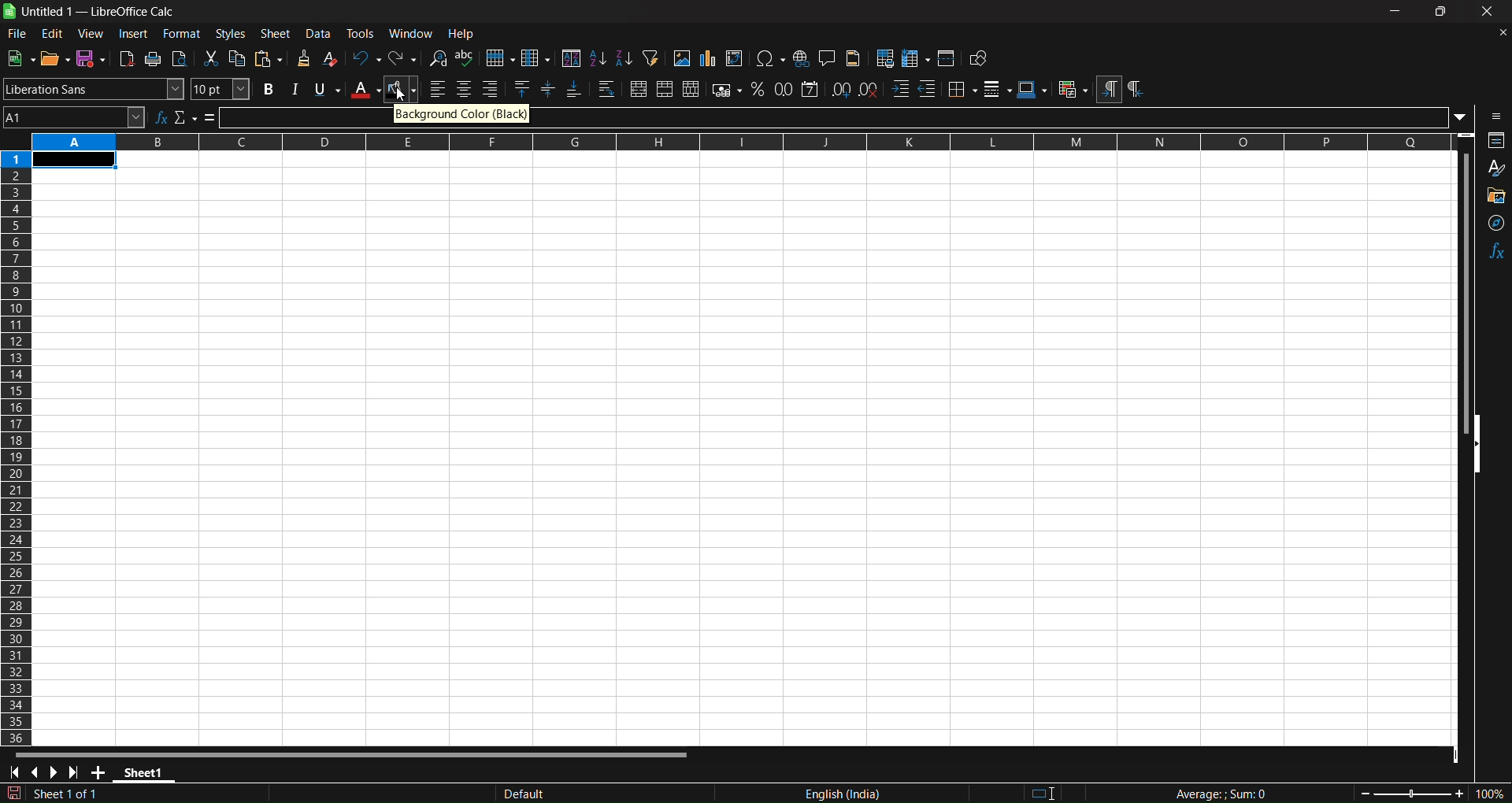 This screenshot has height=803, width=1512. I want to click on zoom factor, so click(1426, 793).